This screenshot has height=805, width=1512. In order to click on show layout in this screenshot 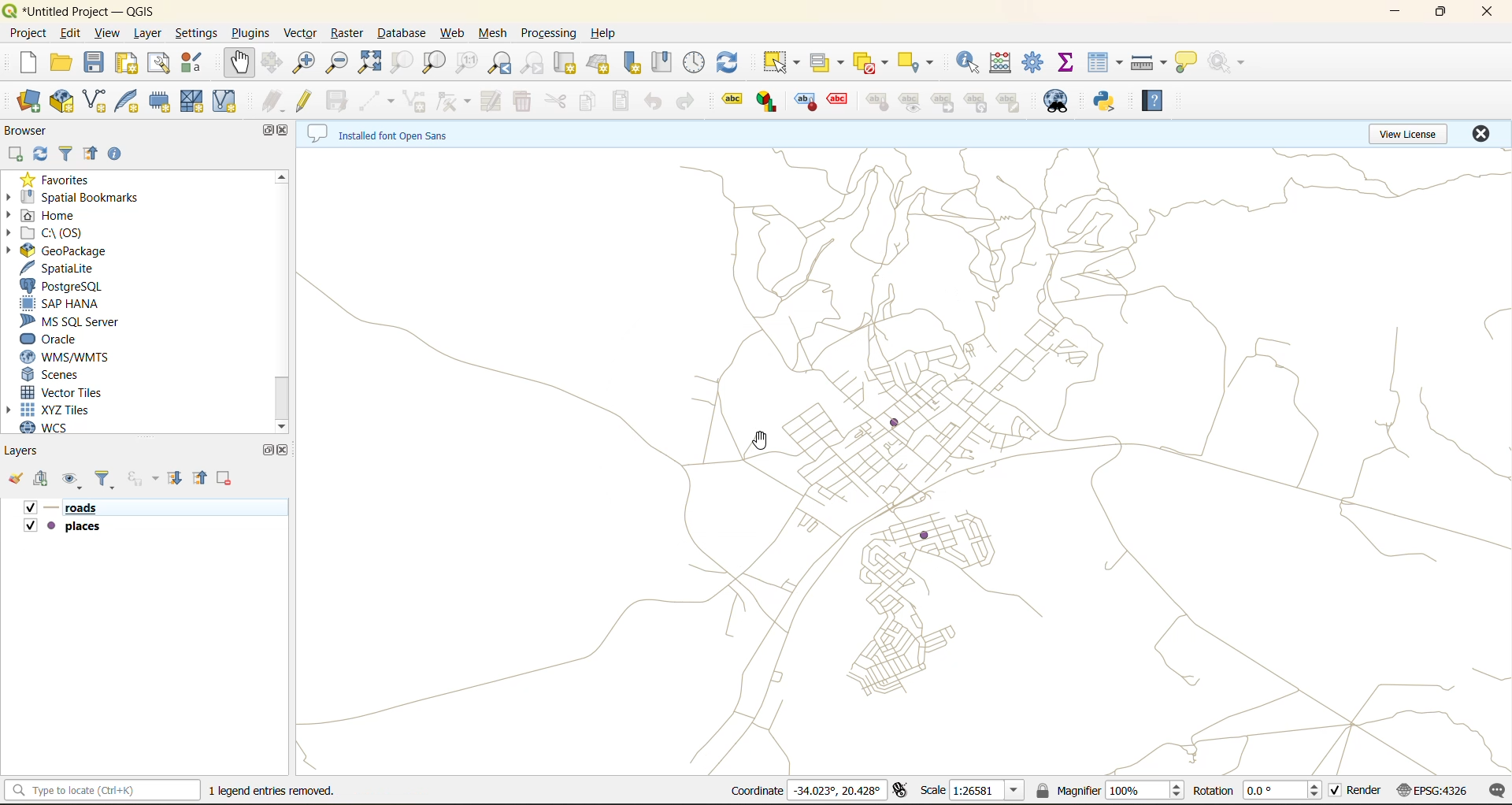, I will do `click(160, 64)`.